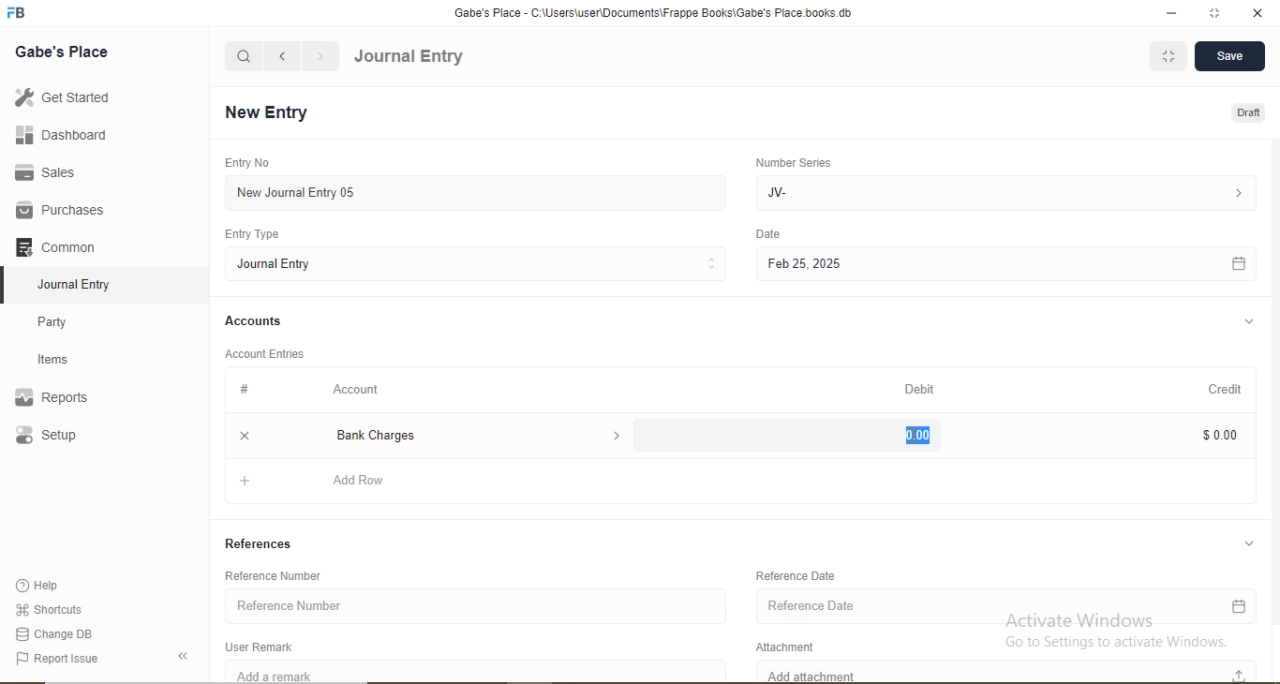 This screenshot has width=1280, height=684. Describe the element at coordinates (60, 245) in the screenshot. I see `Common` at that location.